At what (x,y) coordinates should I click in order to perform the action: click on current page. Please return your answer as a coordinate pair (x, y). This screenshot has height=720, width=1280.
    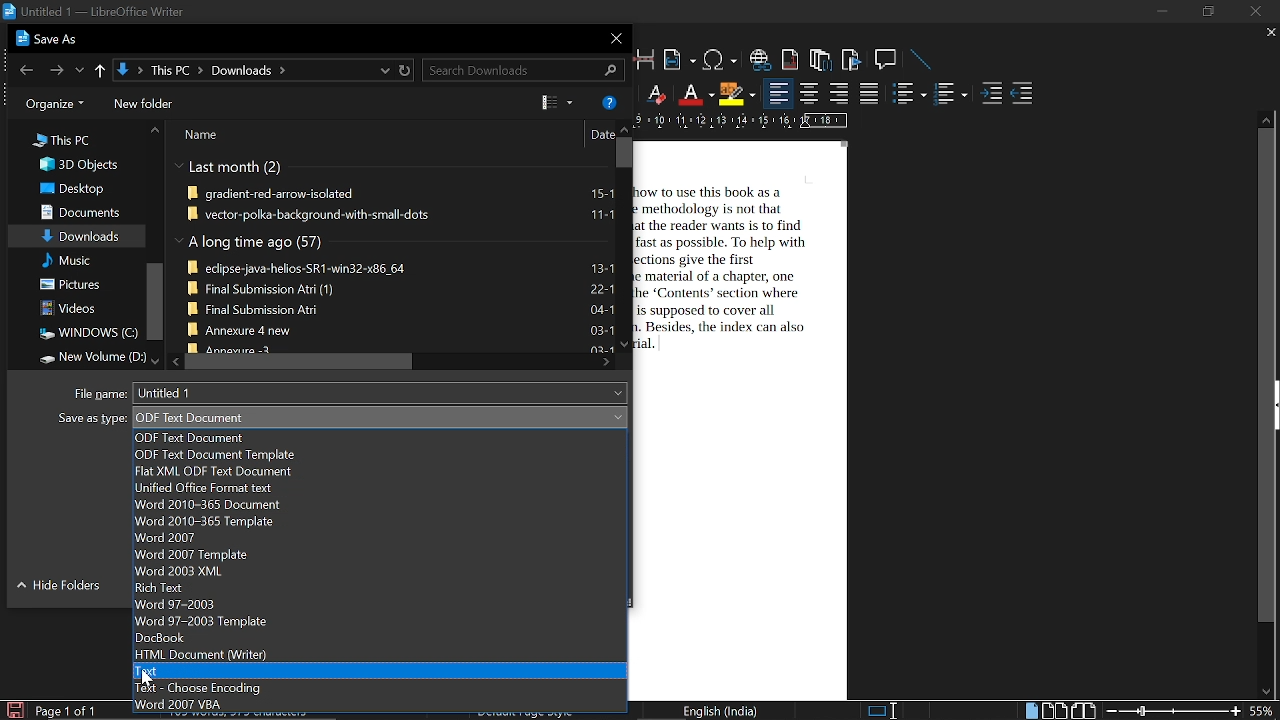
    Looking at the image, I should click on (66, 711).